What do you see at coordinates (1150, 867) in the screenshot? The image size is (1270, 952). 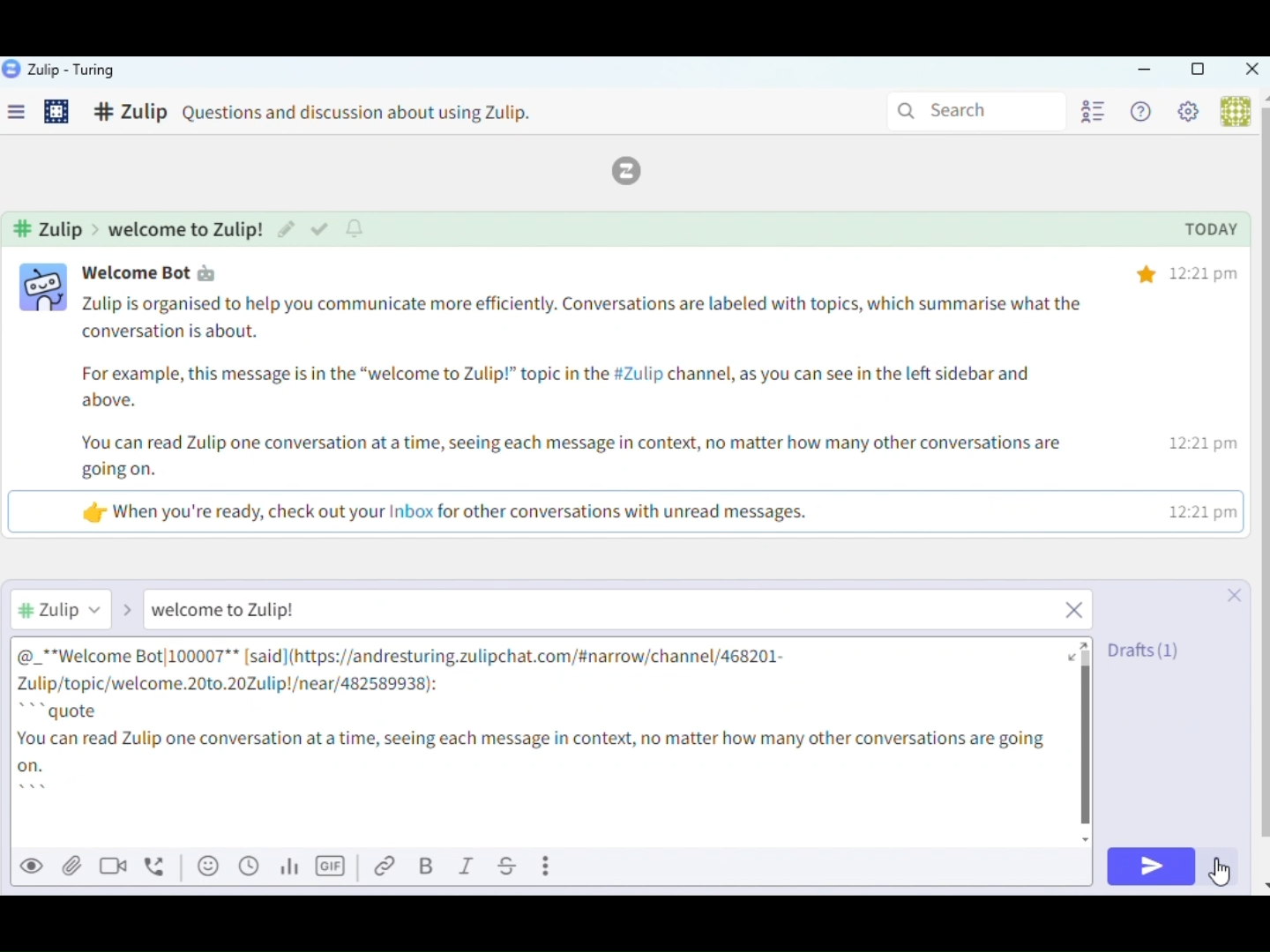 I see `Send` at bounding box center [1150, 867].